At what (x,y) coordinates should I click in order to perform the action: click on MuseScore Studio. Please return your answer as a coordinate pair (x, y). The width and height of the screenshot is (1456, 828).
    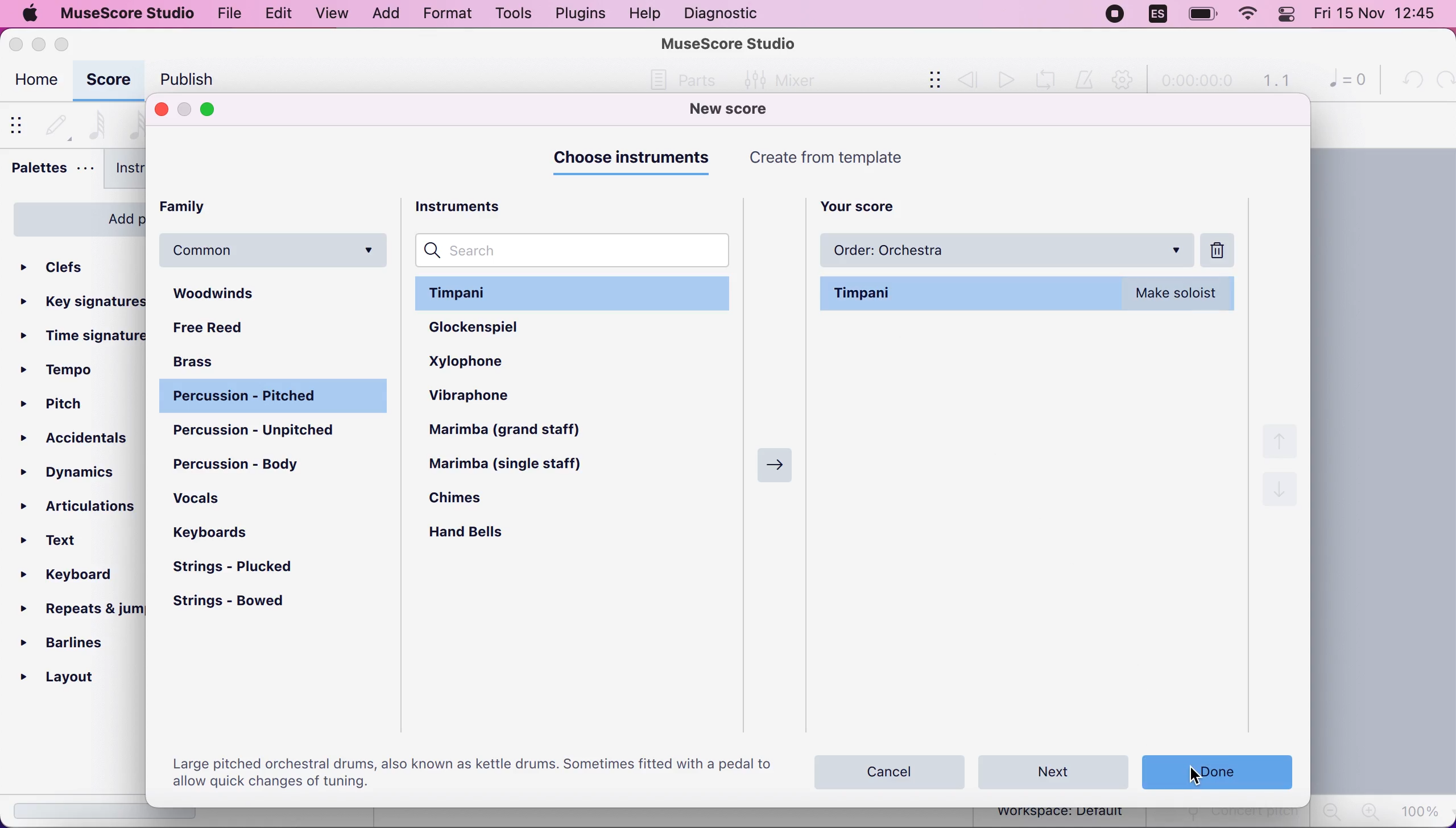
    Looking at the image, I should click on (729, 43).